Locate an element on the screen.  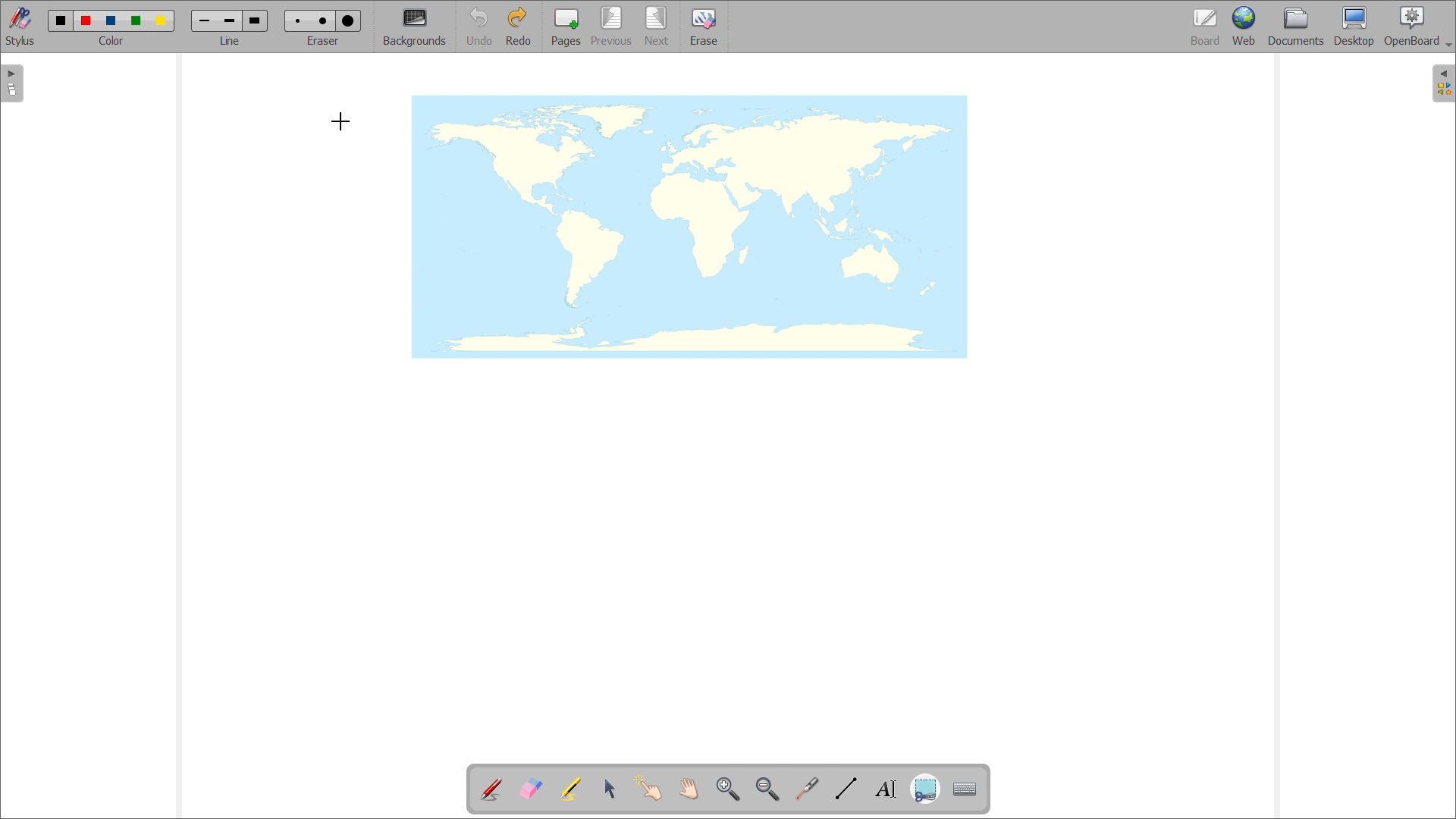
medium is located at coordinates (325, 20).